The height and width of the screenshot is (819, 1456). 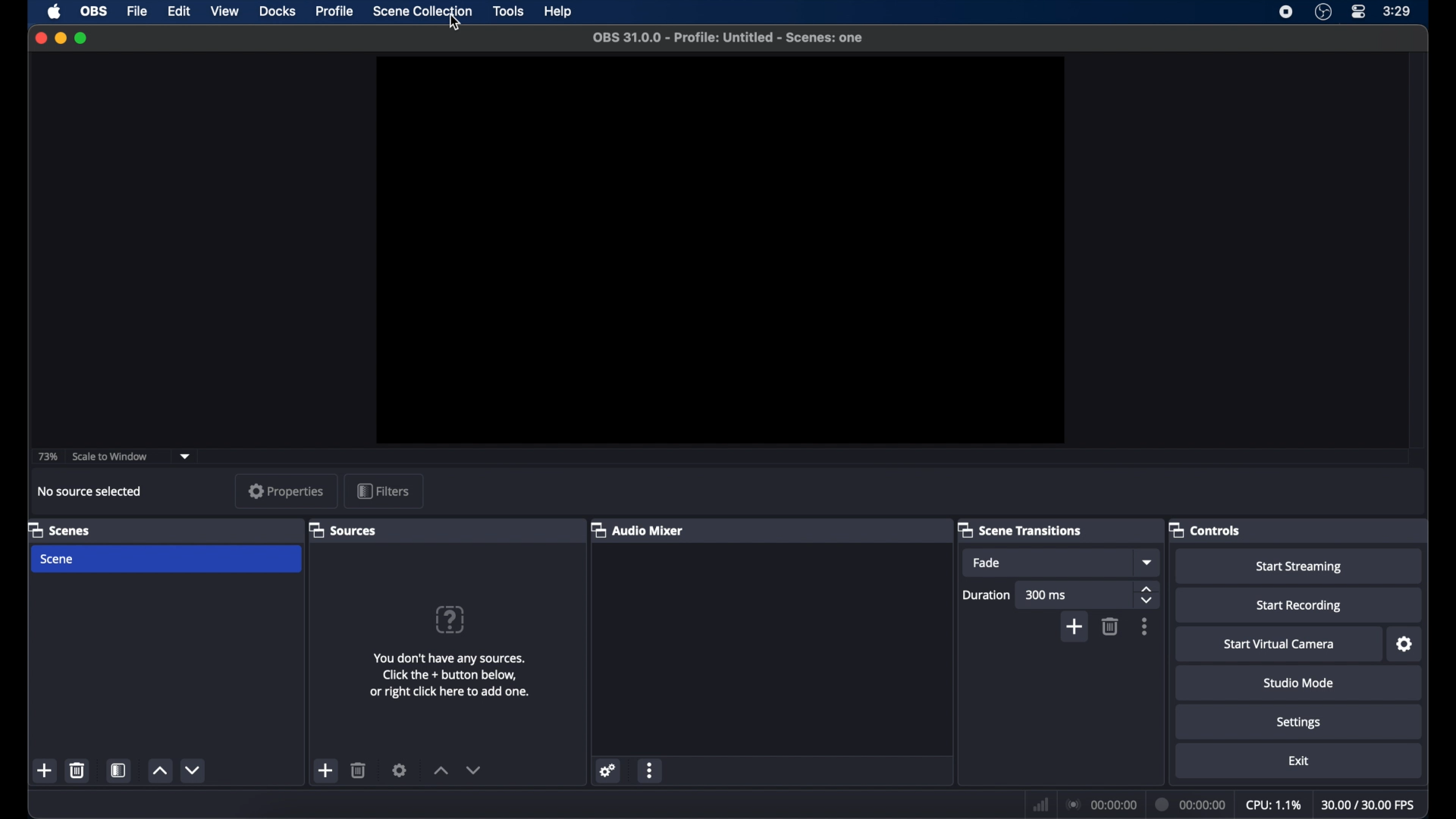 What do you see at coordinates (452, 24) in the screenshot?
I see `Cursor` at bounding box center [452, 24].